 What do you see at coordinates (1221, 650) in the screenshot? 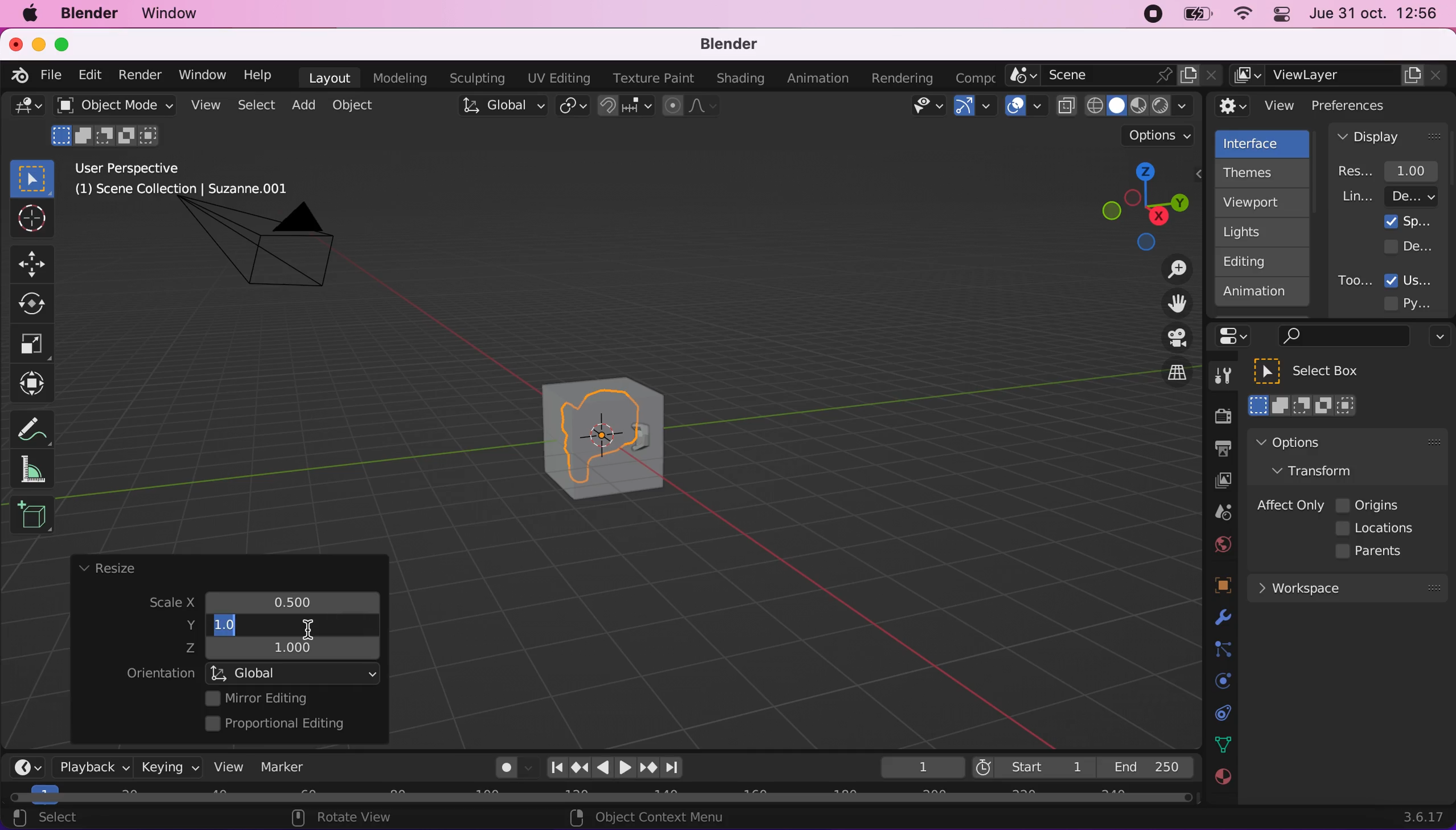
I see `constraints` at bounding box center [1221, 650].